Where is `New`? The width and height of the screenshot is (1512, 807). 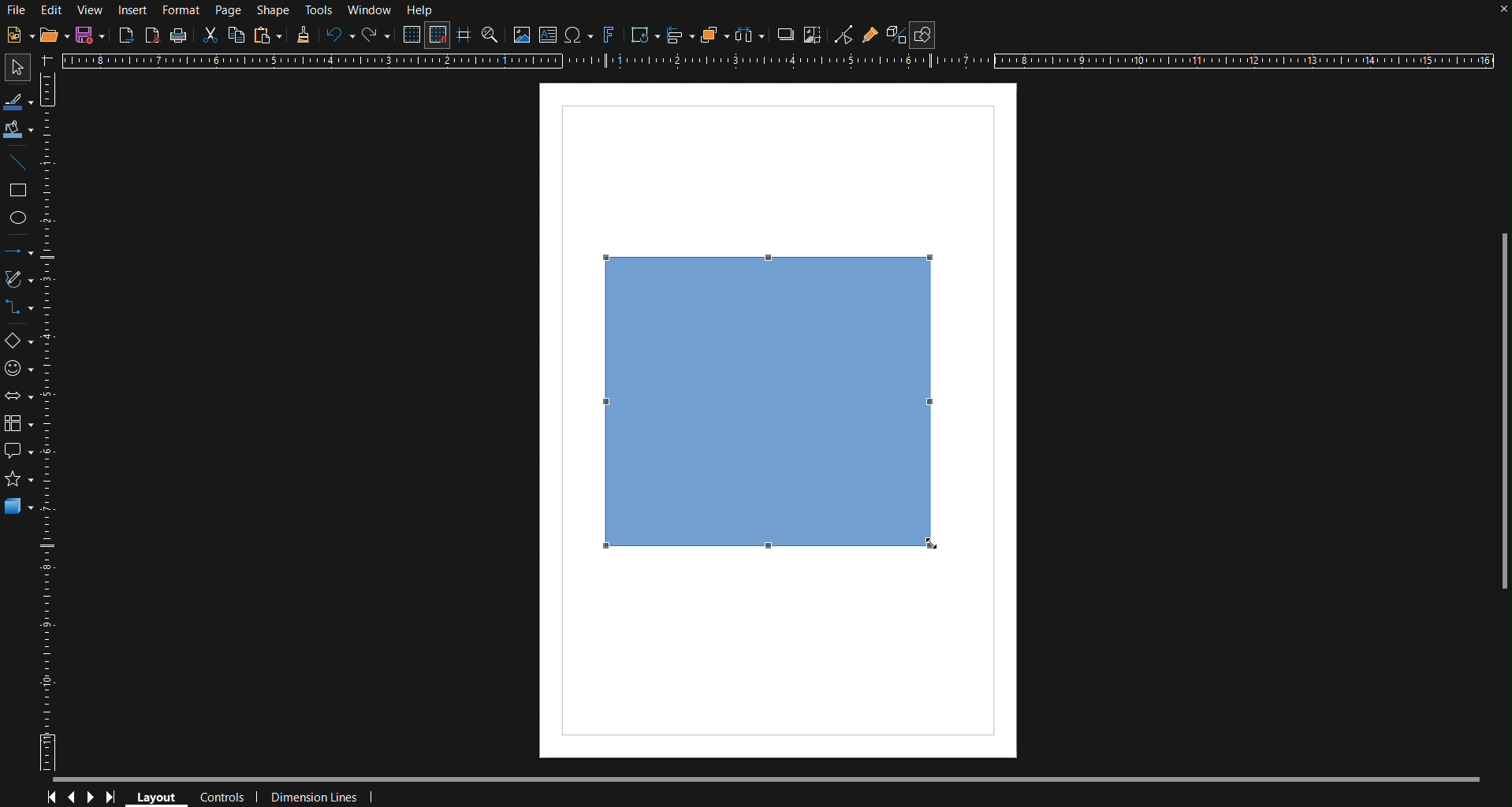 New is located at coordinates (19, 34).